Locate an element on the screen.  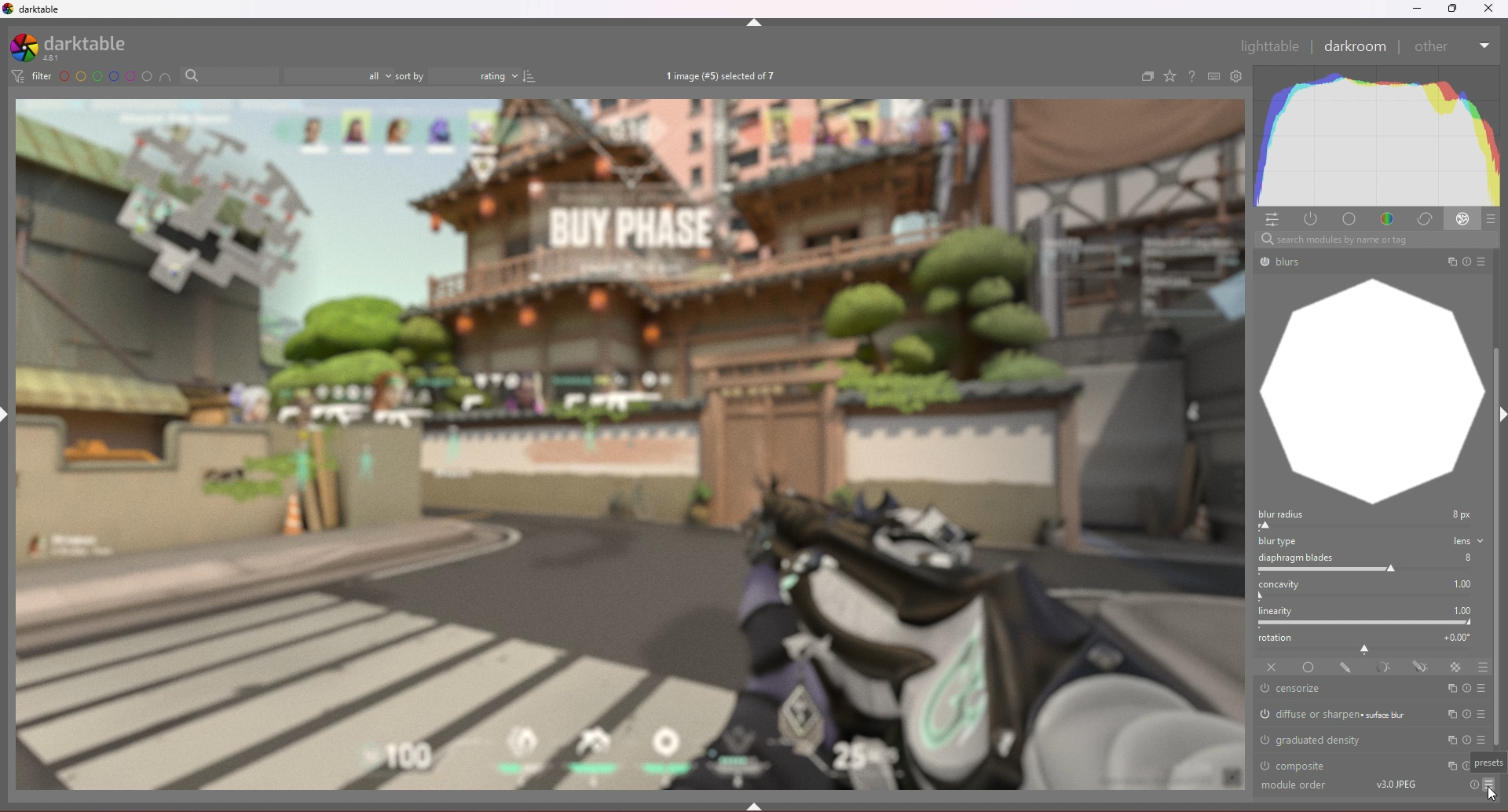
filter is located at coordinates (32, 75).